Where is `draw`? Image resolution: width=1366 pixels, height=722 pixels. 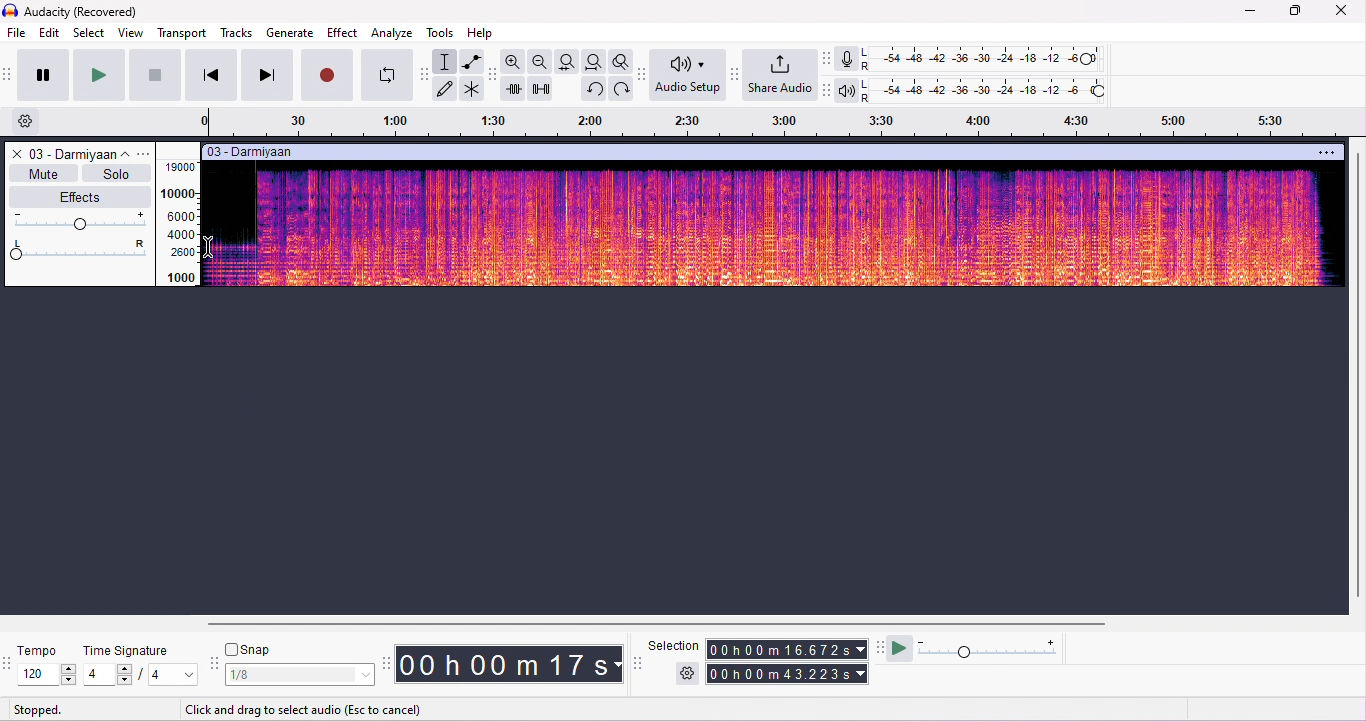
draw is located at coordinates (447, 88).